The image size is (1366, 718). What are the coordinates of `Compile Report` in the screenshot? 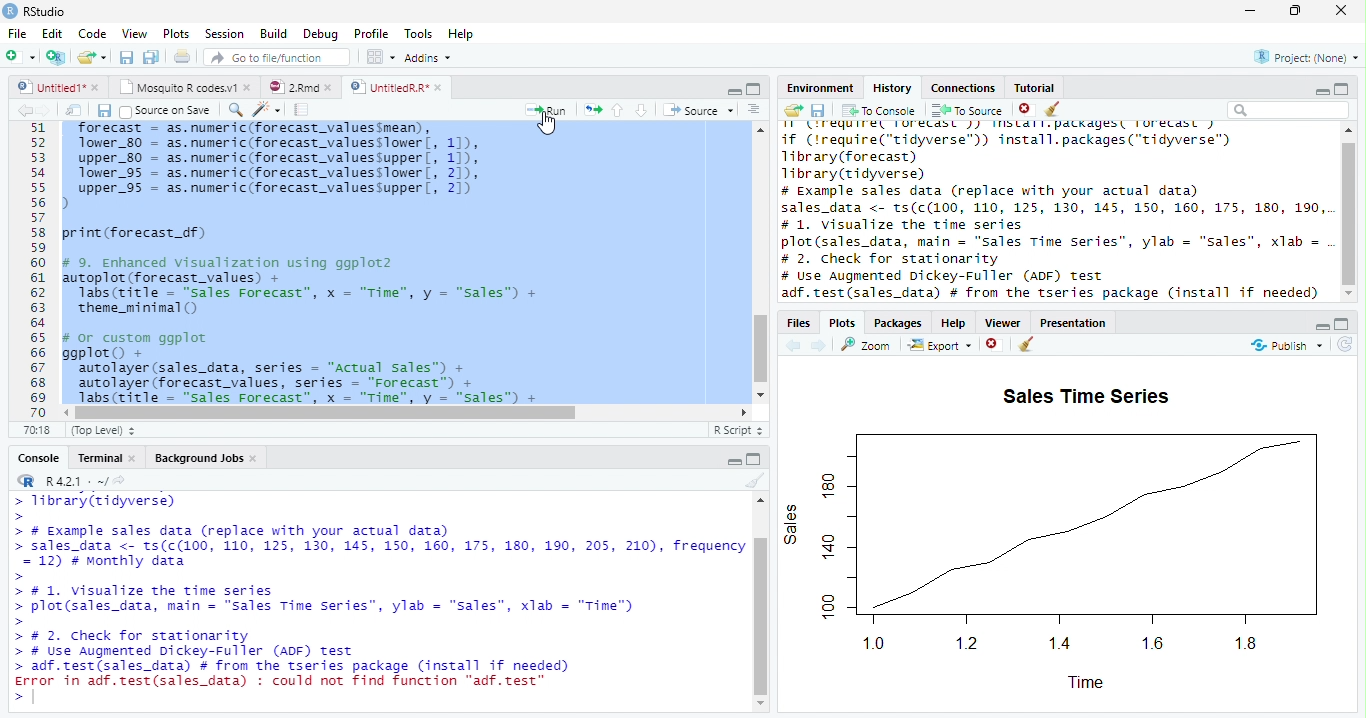 It's located at (303, 109).